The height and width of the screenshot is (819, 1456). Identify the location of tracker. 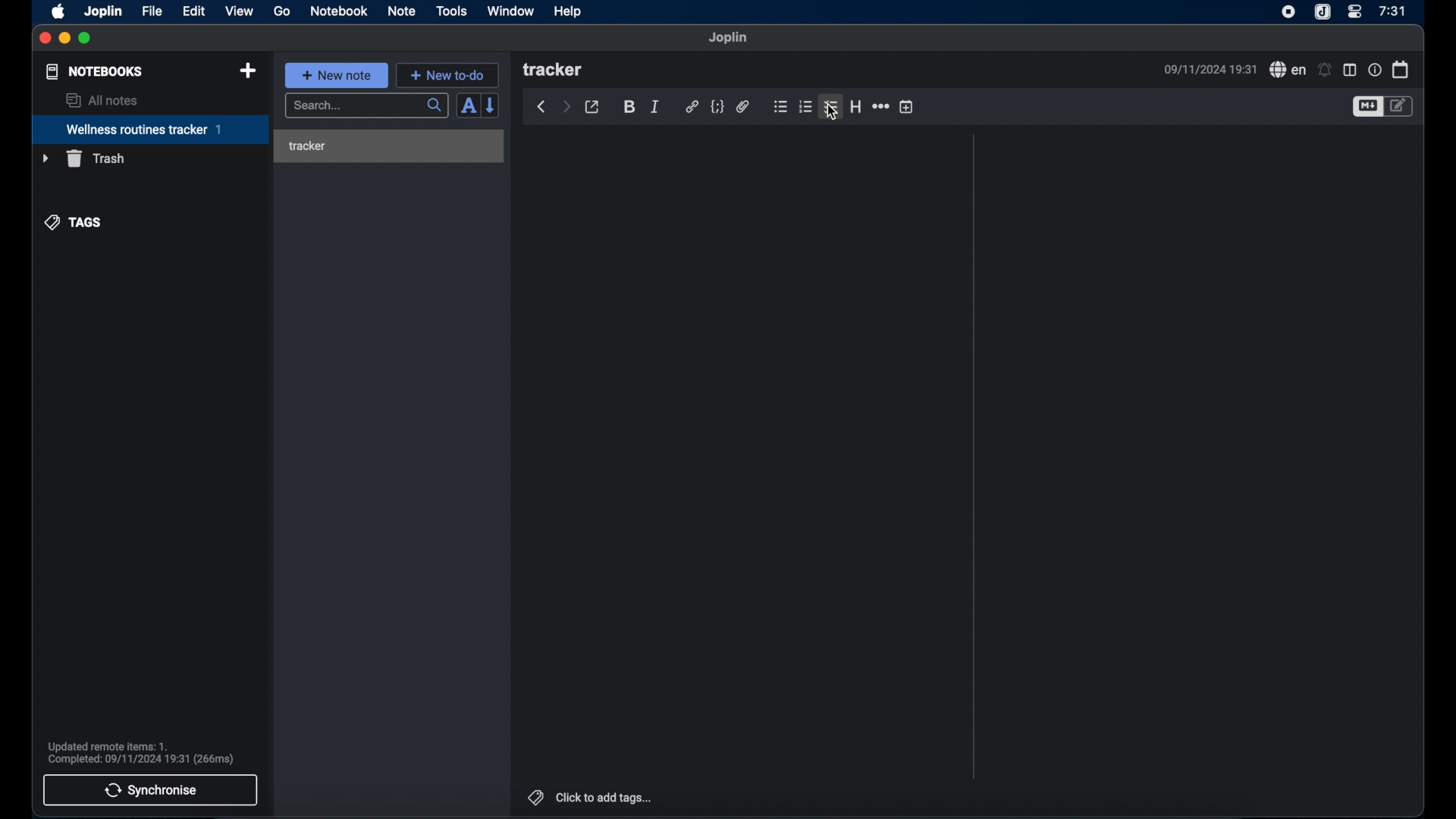
(554, 71).